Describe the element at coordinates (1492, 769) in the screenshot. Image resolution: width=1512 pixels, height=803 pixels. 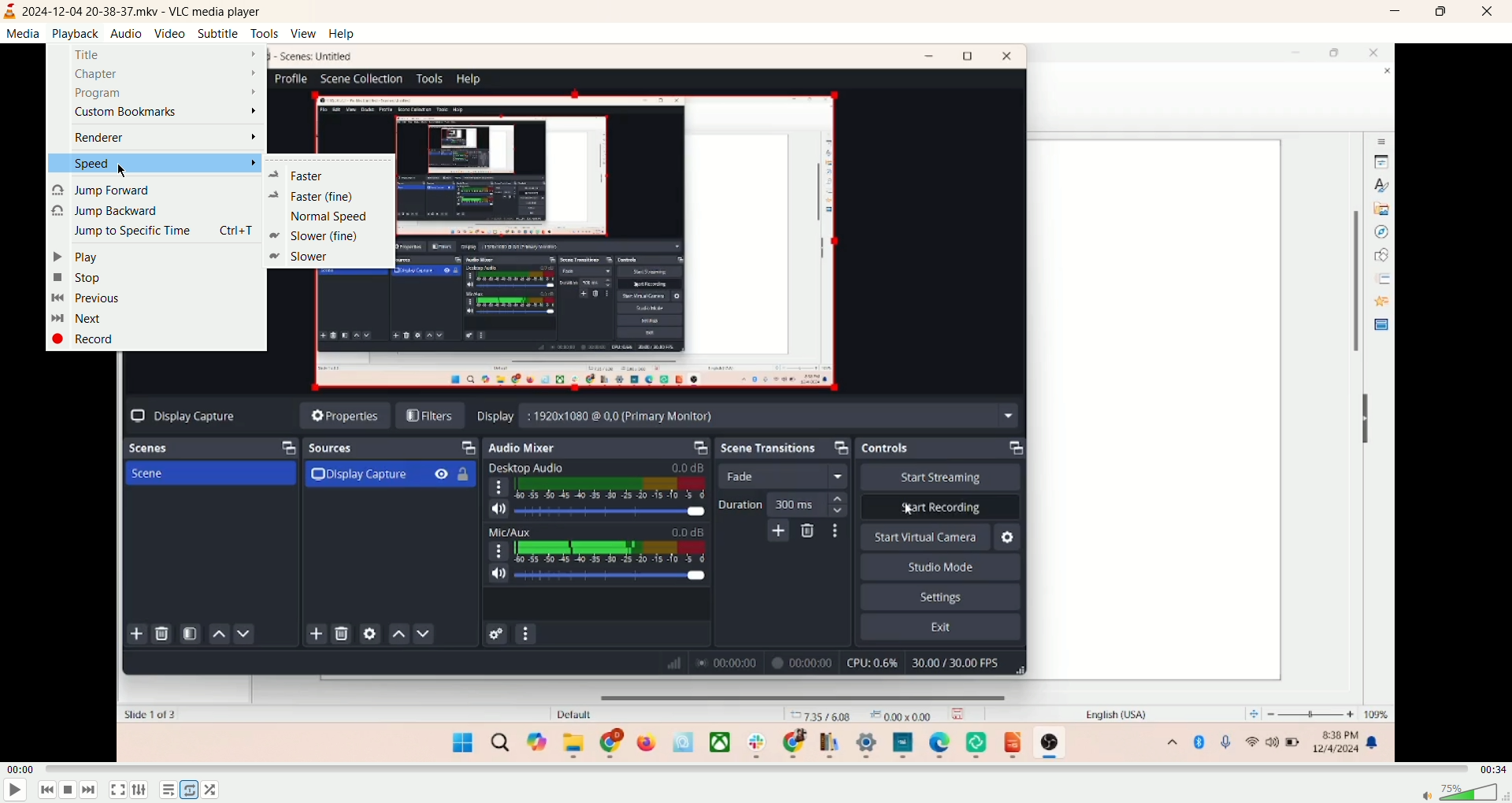
I see `total time` at that location.